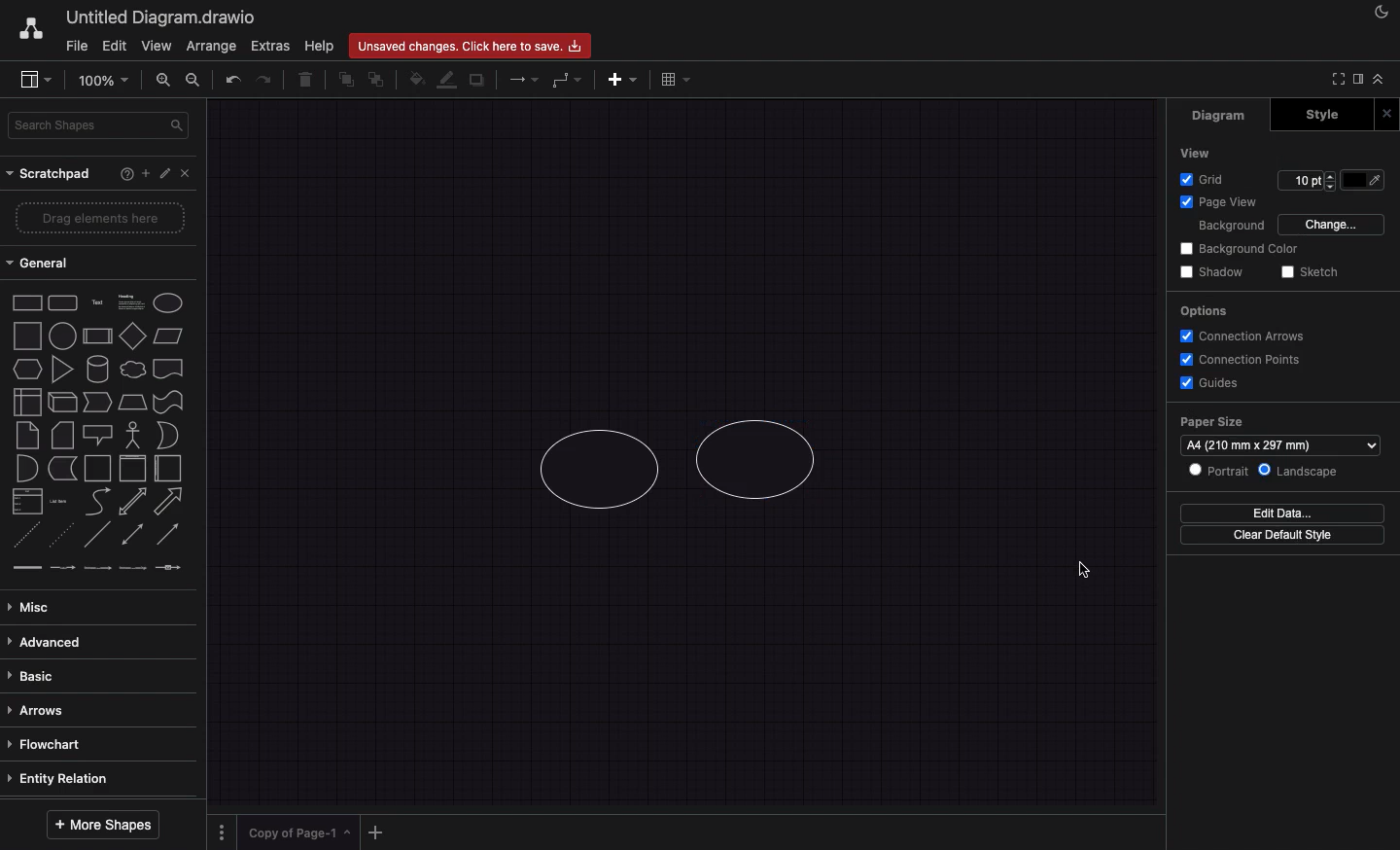  Describe the element at coordinates (102, 218) in the screenshot. I see `drag elements here` at that location.